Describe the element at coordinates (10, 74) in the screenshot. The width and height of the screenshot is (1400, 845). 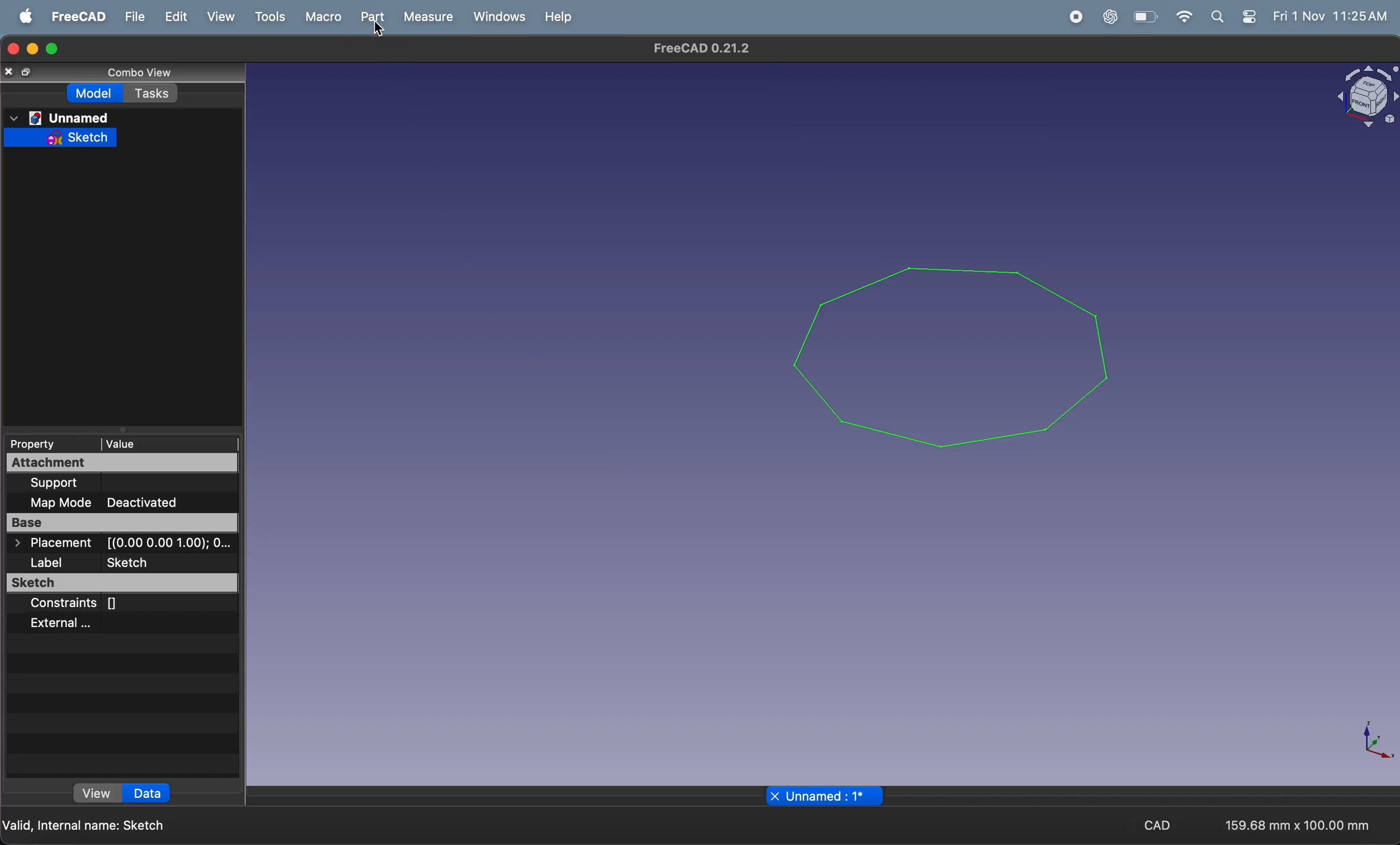
I see `close` at that location.